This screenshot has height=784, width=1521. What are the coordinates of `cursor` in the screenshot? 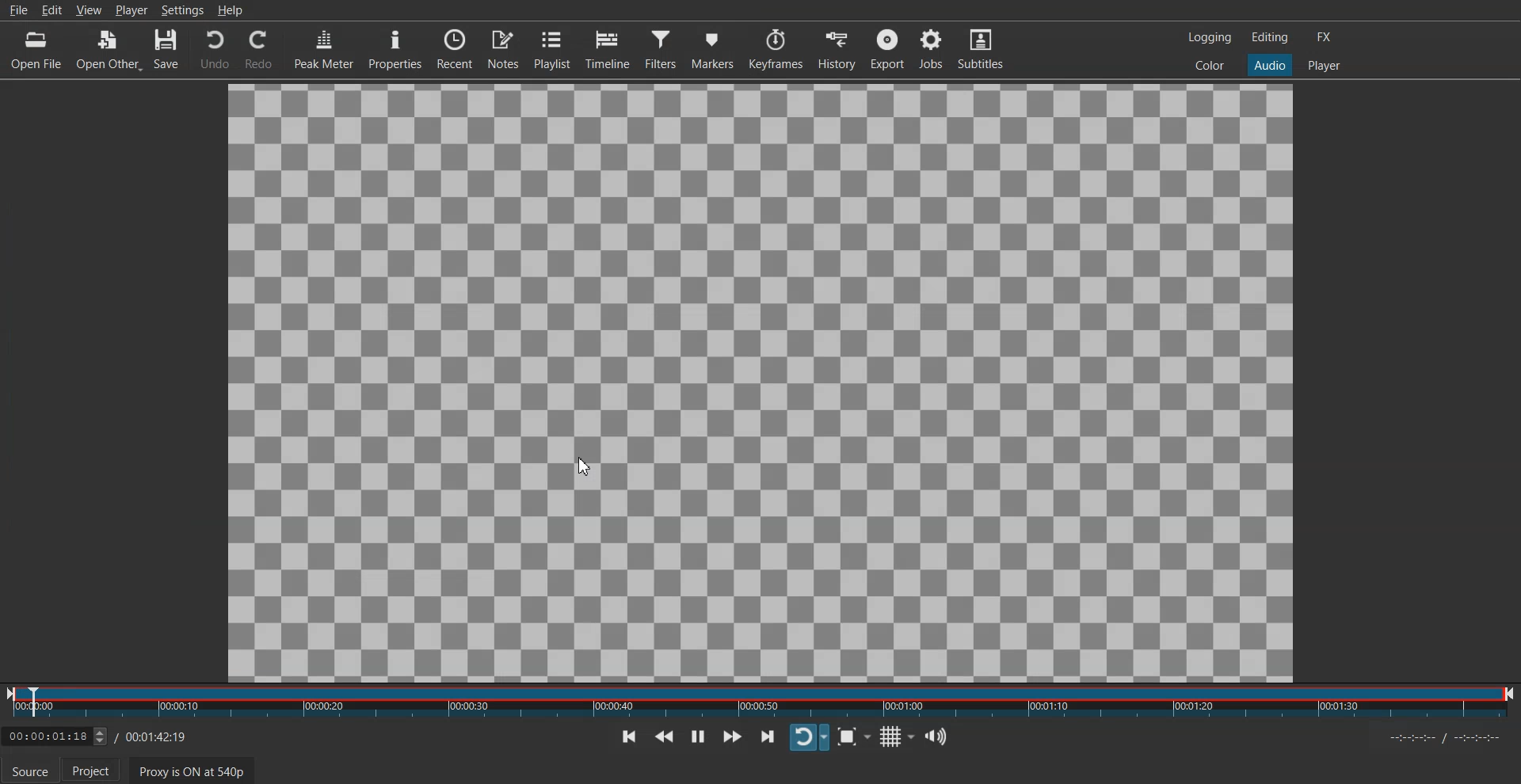 It's located at (577, 470).